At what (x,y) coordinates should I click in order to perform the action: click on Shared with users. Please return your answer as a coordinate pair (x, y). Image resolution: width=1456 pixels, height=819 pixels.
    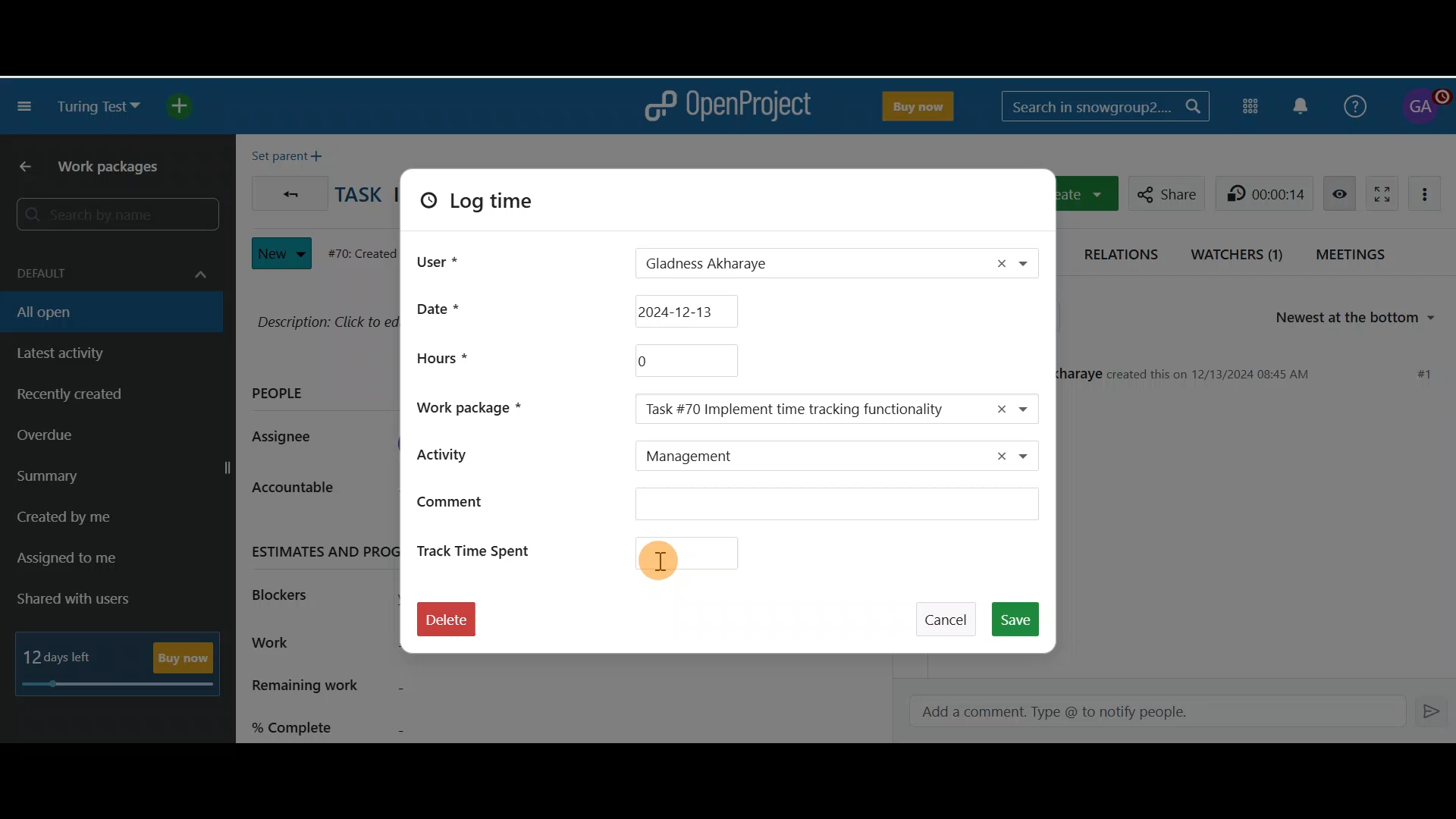
    Looking at the image, I should click on (86, 600).